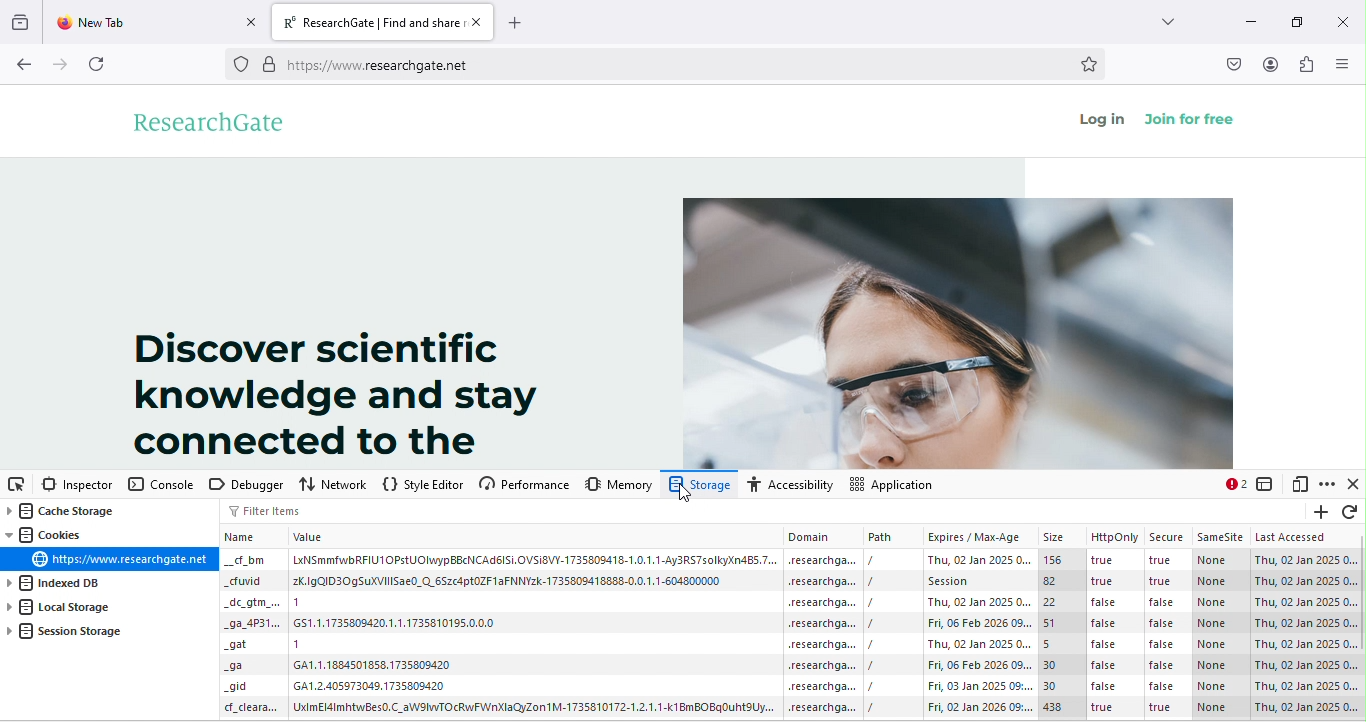 This screenshot has height=722, width=1366. I want to click on 22, so click(1051, 602).